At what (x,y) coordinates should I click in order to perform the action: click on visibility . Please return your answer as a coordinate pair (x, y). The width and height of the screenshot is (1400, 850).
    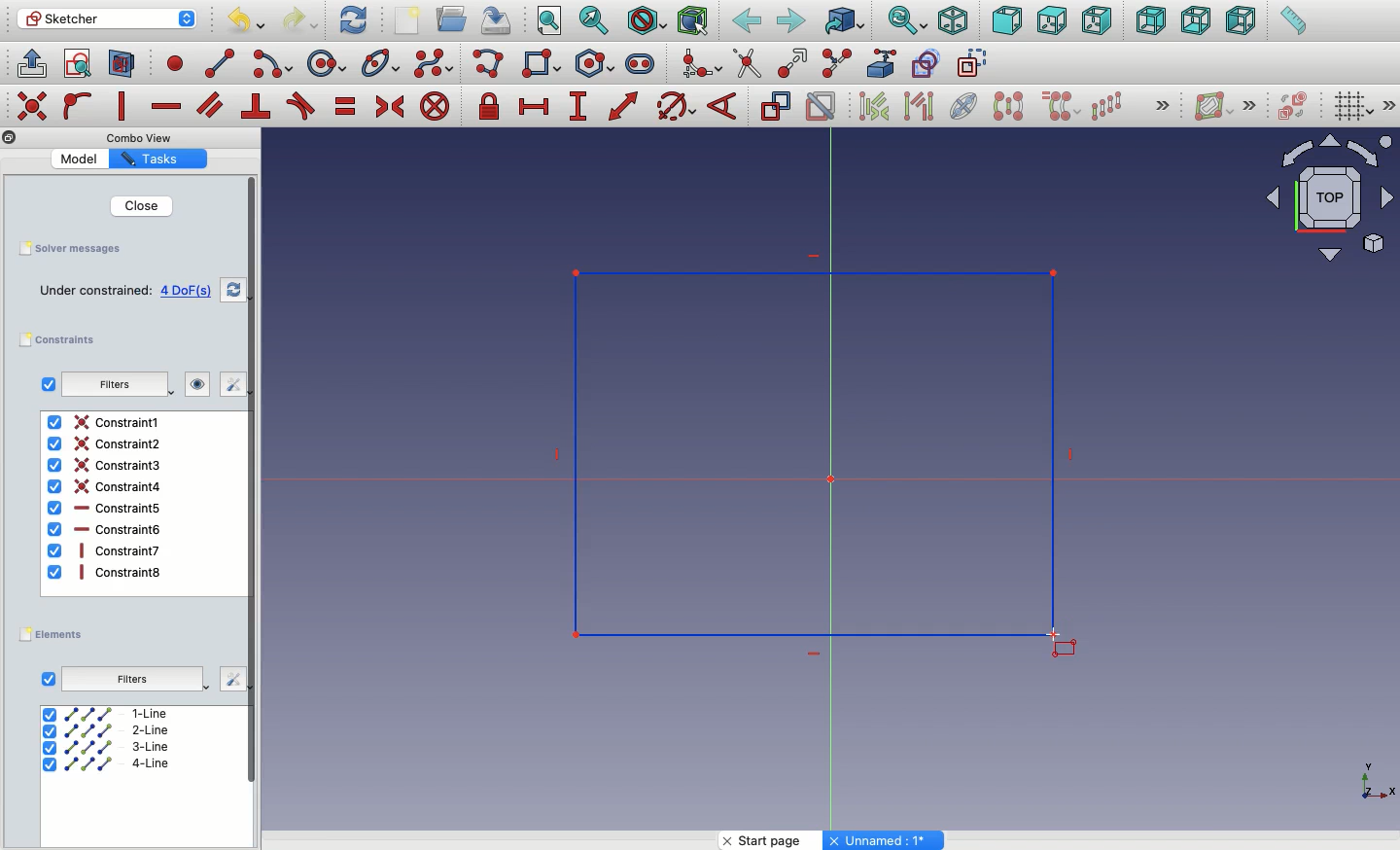
    Looking at the image, I should click on (193, 384).